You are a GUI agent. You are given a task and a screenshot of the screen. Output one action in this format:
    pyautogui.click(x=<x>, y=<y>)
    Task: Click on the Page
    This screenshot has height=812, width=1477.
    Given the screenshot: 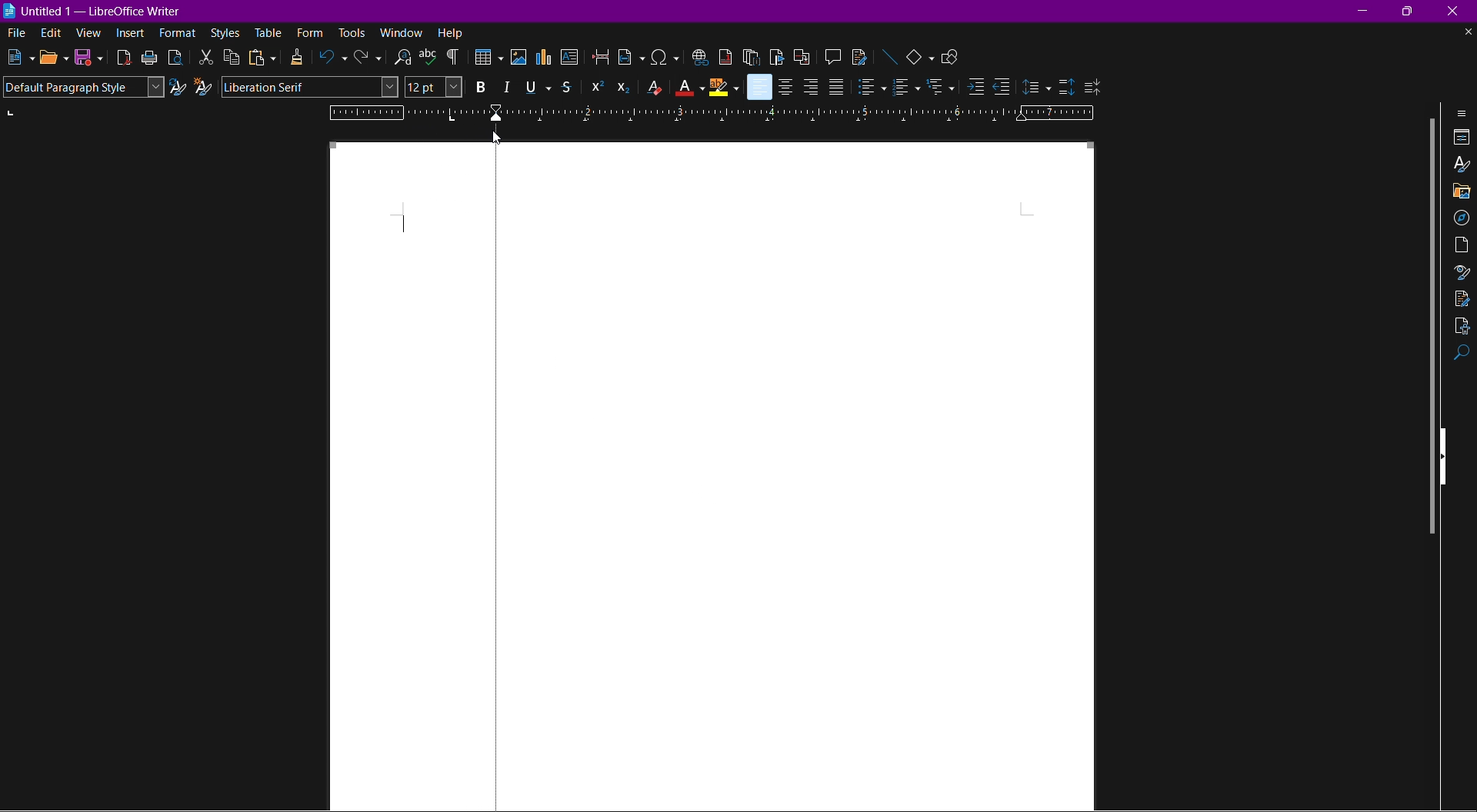 What is the action you would take?
    pyautogui.click(x=1462, y=245)
    